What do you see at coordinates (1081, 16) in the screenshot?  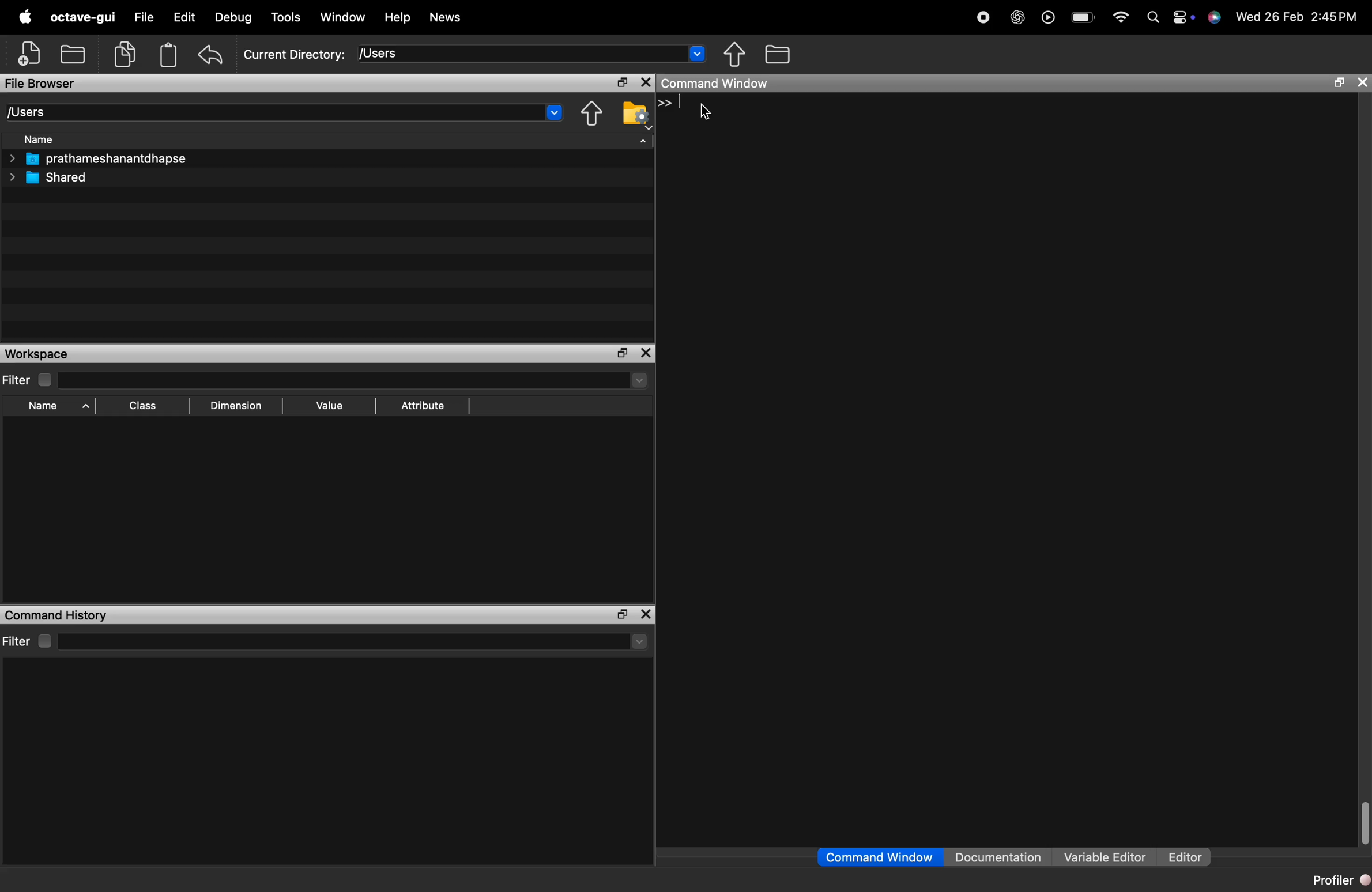 I see `battery` at bounding box center [1081, 16].